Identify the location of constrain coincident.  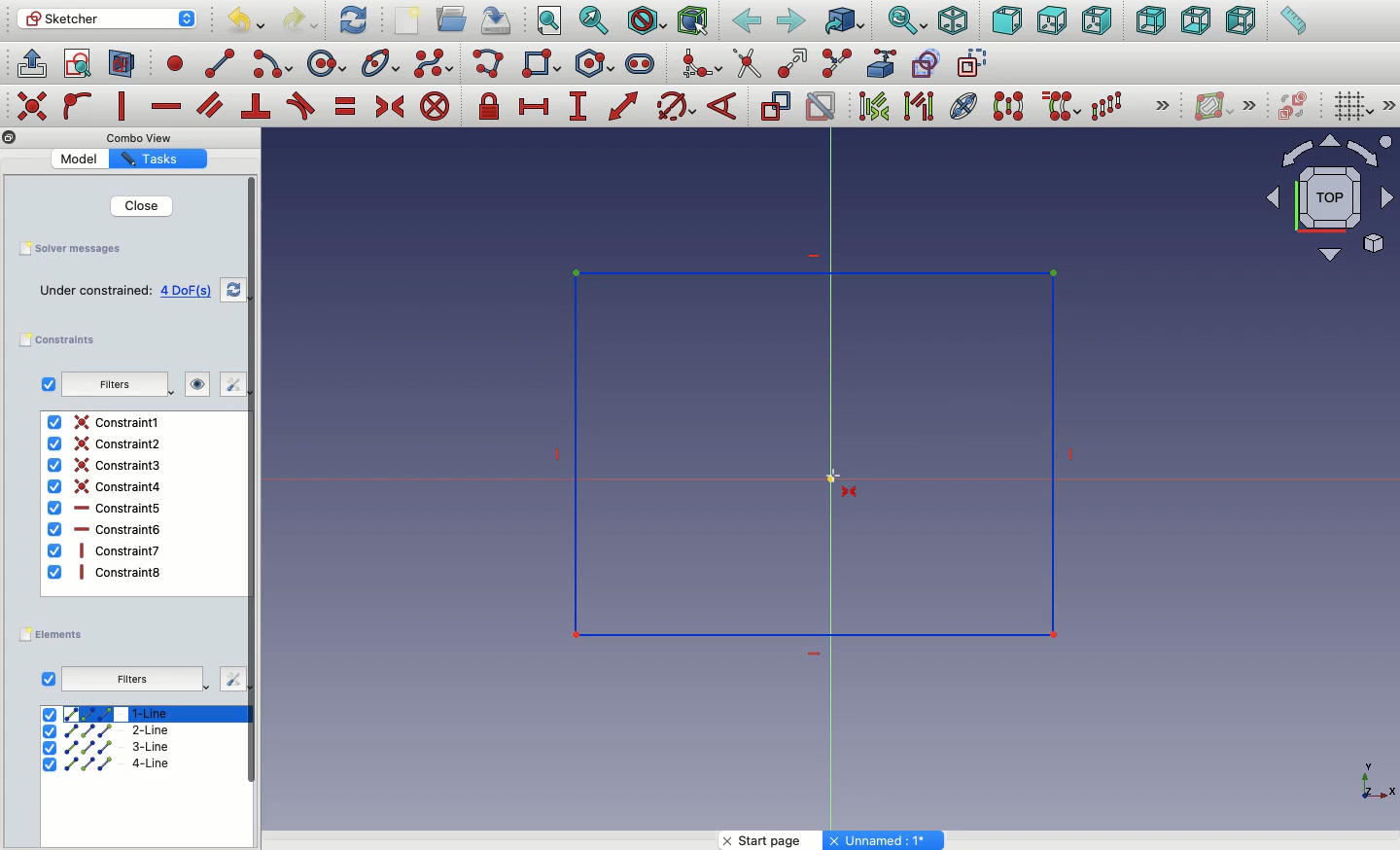
(34, 106).